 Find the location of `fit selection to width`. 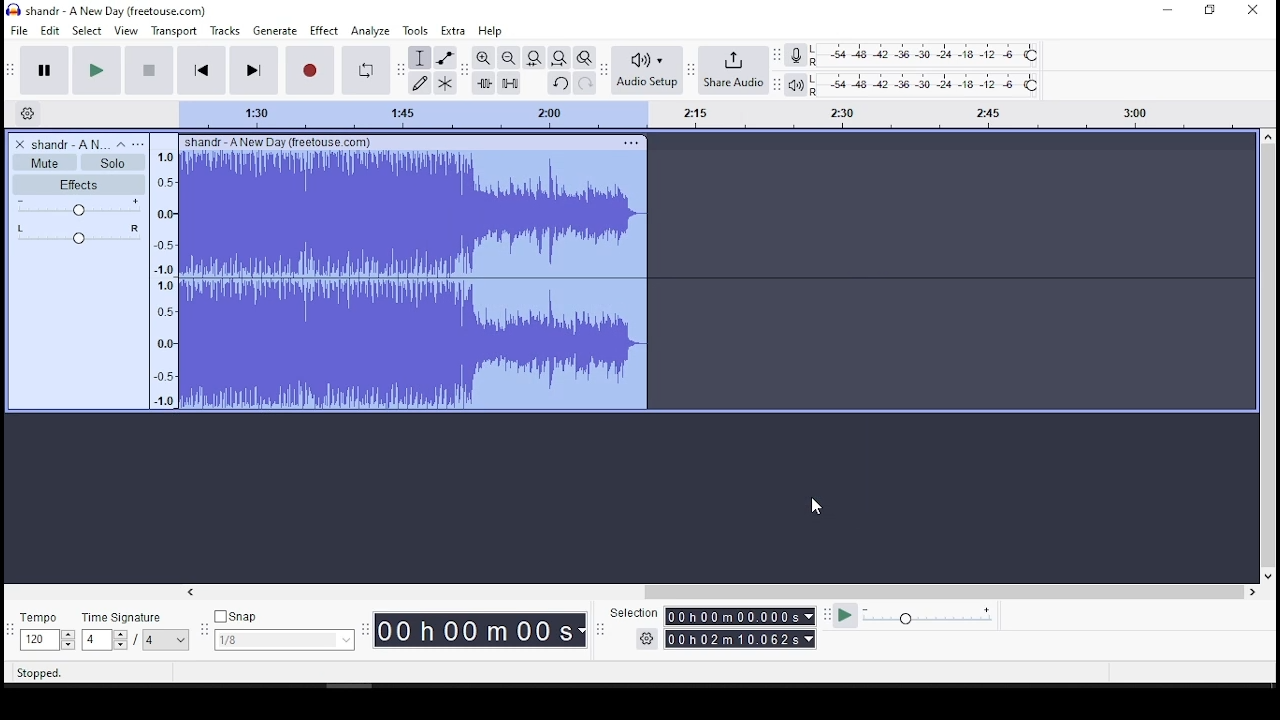

fit selection to width is located at coordinates (533, 57).